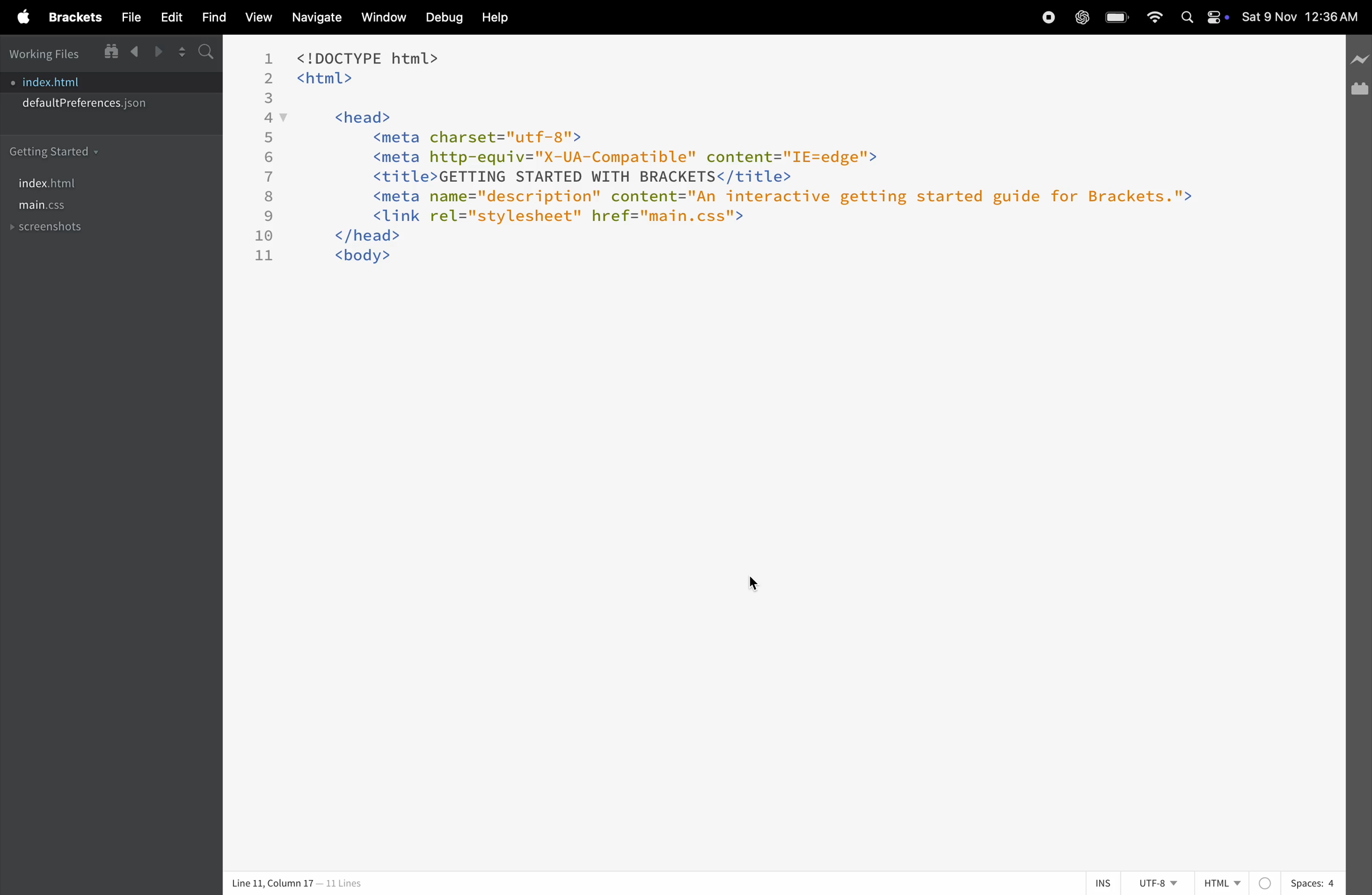  What do you see at coordinates (161, 52) in the screenshot?
I see `next file` at bounding box center [161, 52].